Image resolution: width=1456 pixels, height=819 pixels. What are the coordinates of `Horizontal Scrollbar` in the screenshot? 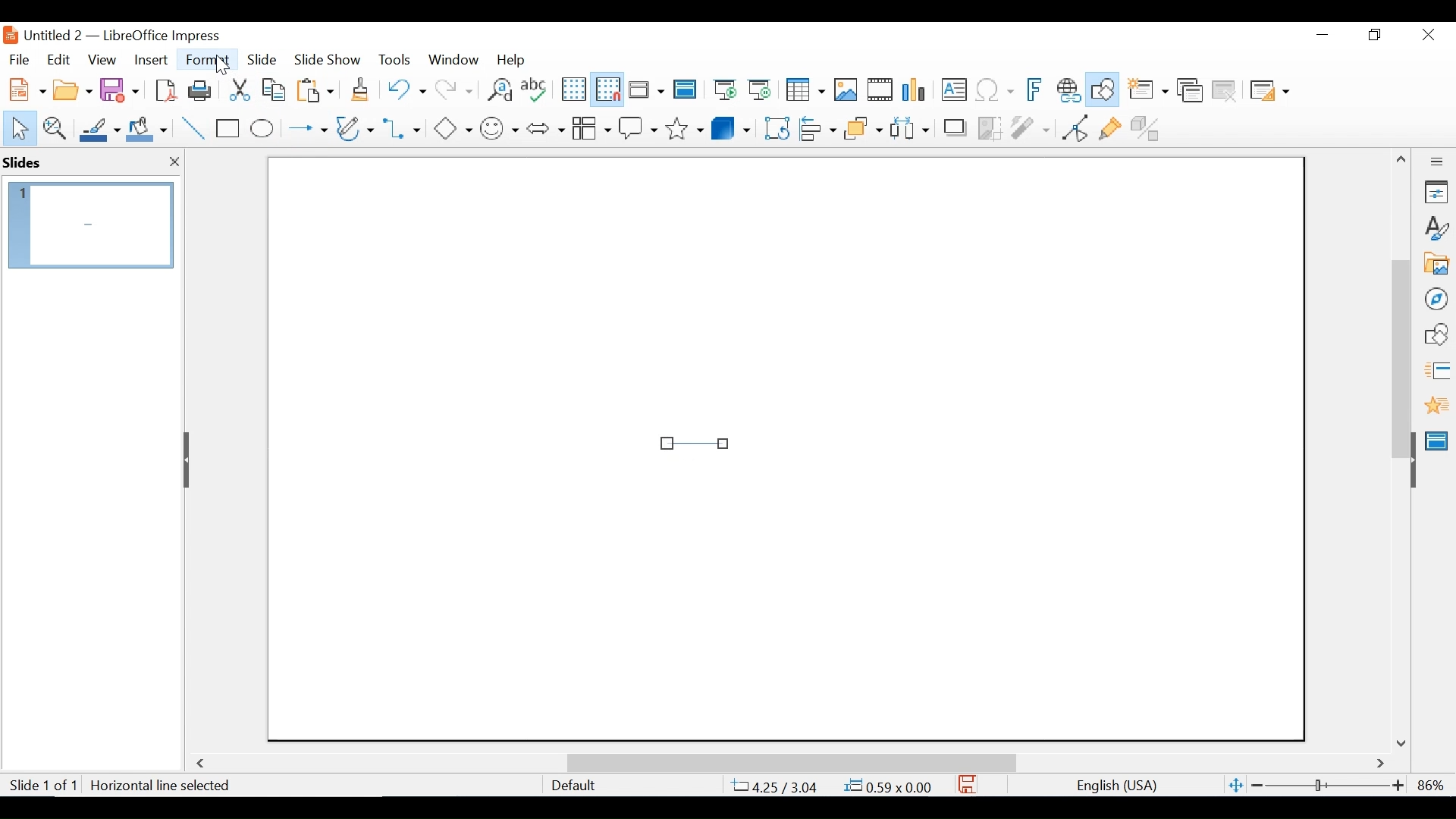 It's located at (790, 762).